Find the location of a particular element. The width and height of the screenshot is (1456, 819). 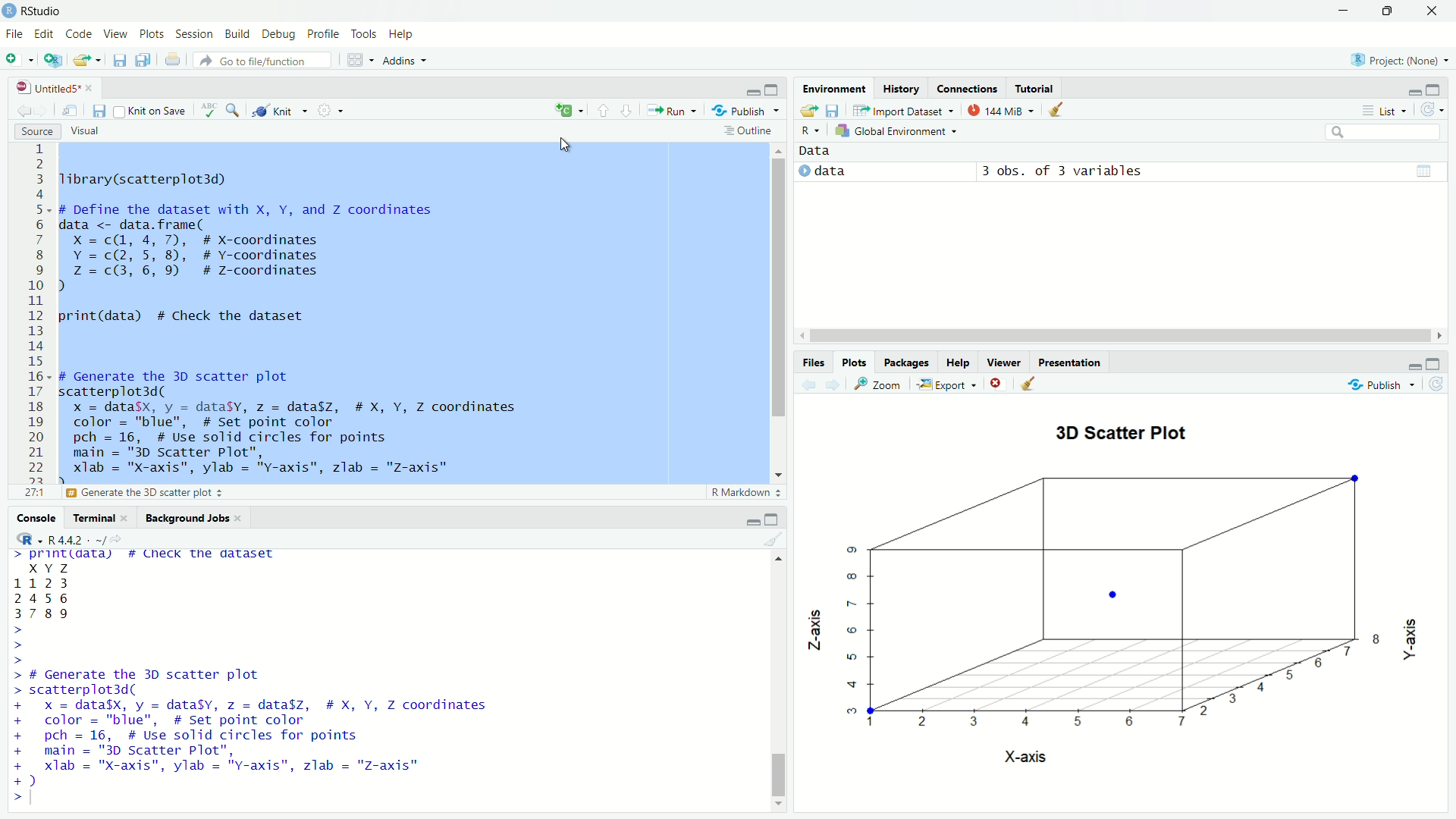

previous plot is located at coordinates (805, 384).